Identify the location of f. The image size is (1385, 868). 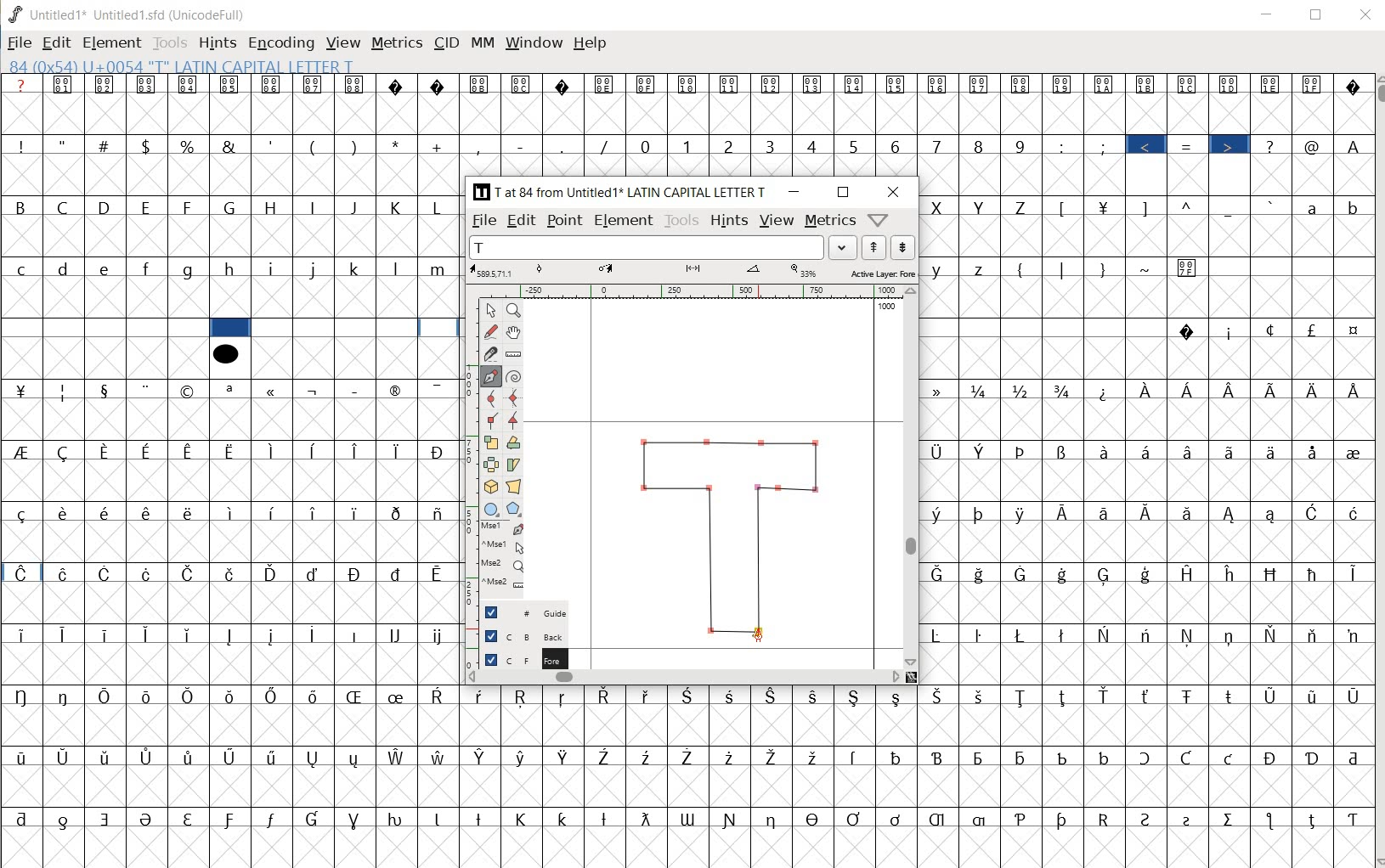
(148, 269).